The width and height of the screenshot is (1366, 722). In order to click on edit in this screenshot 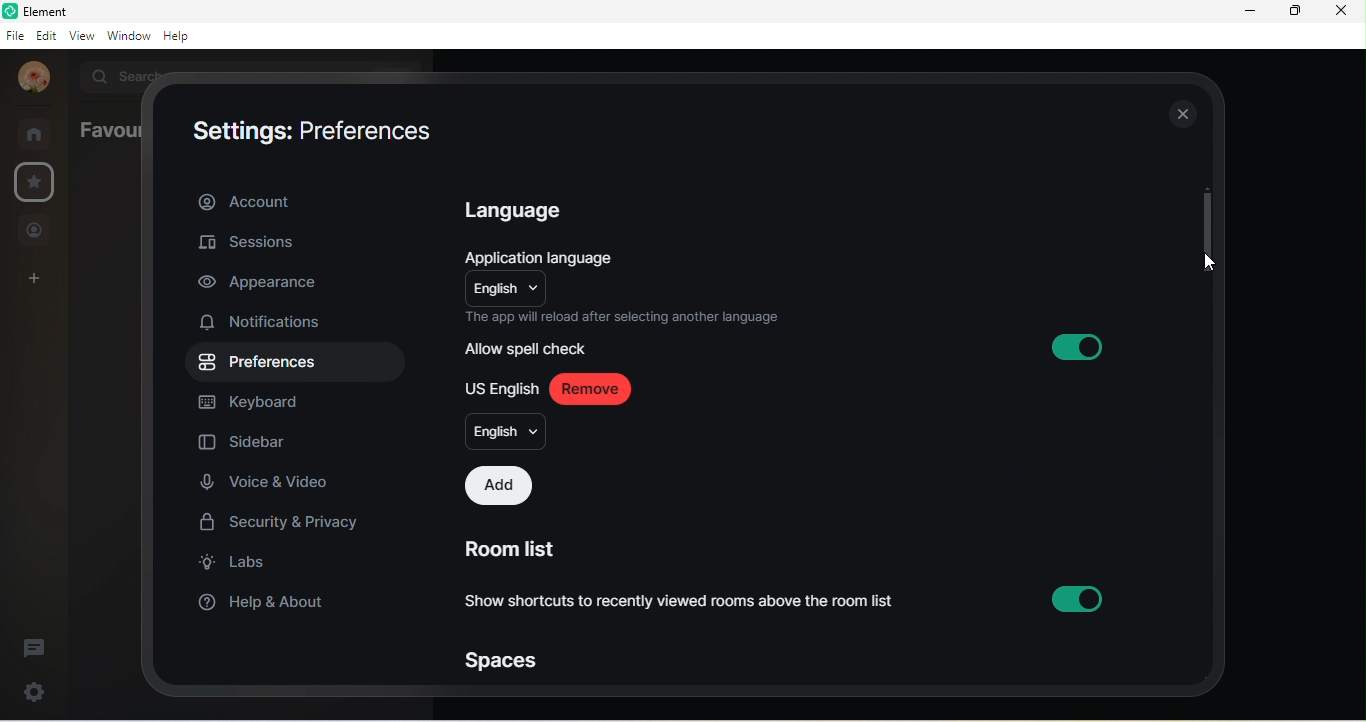, I will do `click(44, 35)`.